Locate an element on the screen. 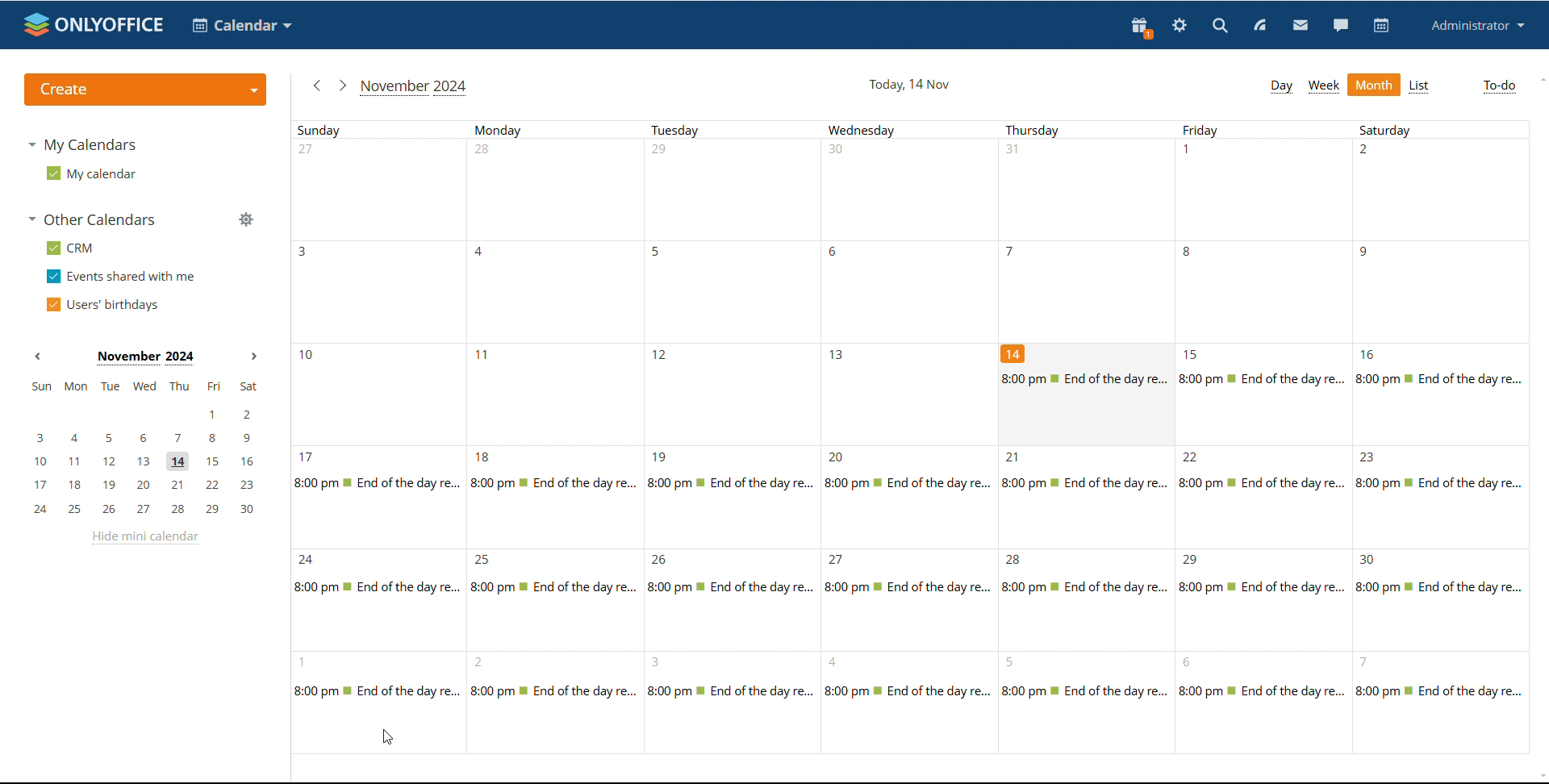 This screenshot has width=1549, height=784. next month is located at coordinates (254, 357).